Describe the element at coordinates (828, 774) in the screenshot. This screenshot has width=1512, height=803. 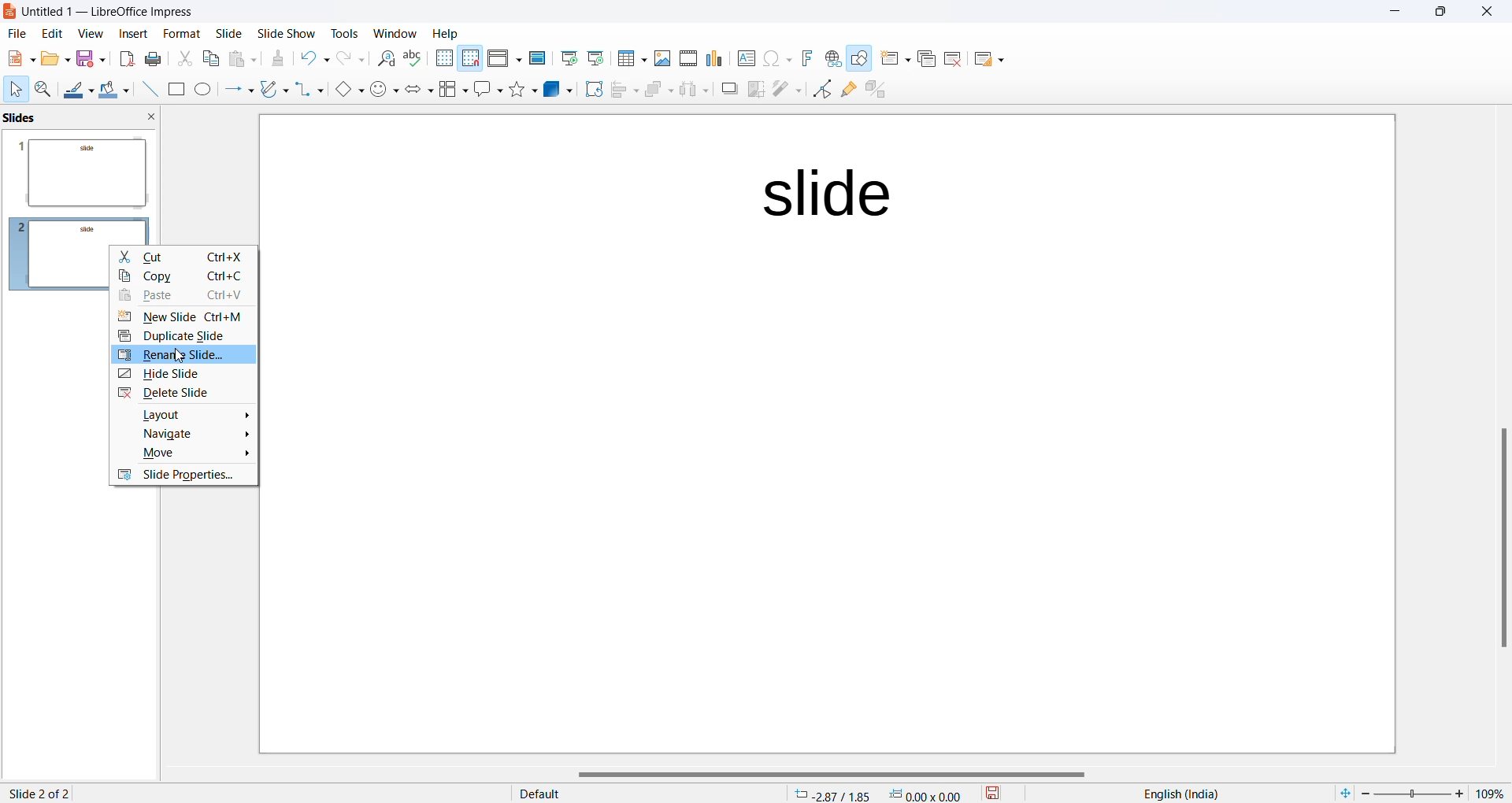
I see `horizontal scrollbar` at that location.